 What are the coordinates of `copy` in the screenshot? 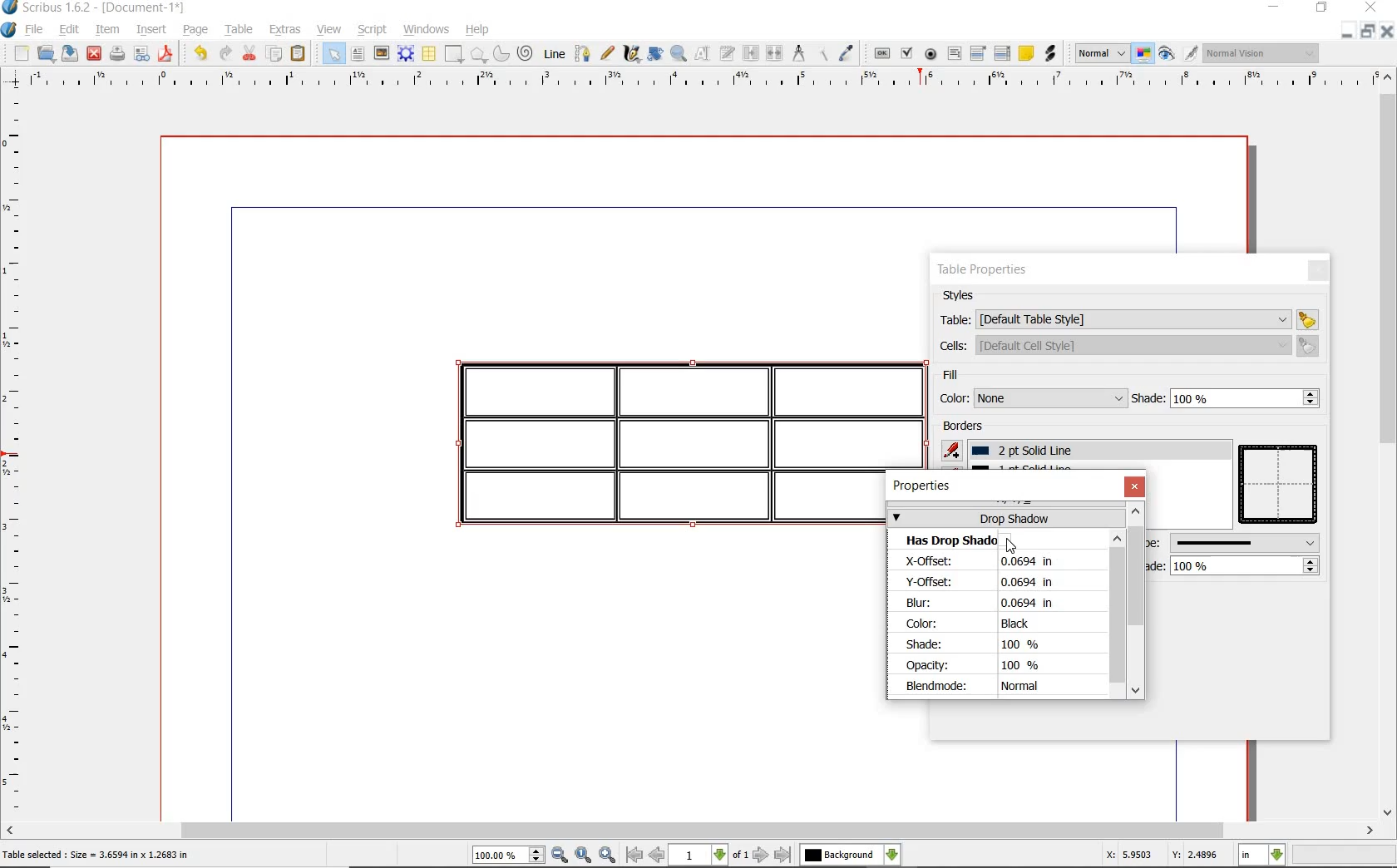 It's located at (274, 56).